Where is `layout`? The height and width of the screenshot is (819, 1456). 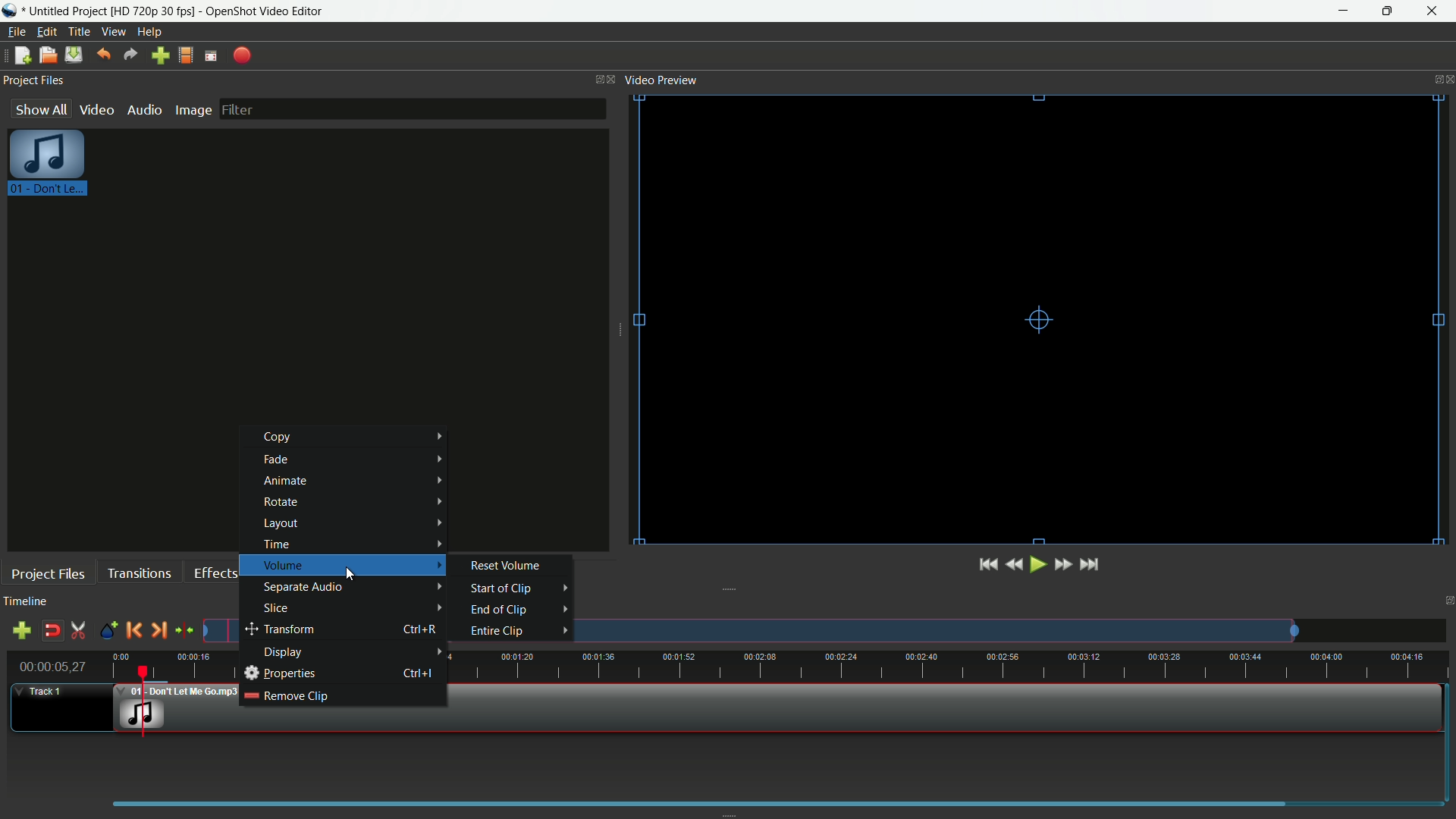
layout is located at coordinates (353, 523).